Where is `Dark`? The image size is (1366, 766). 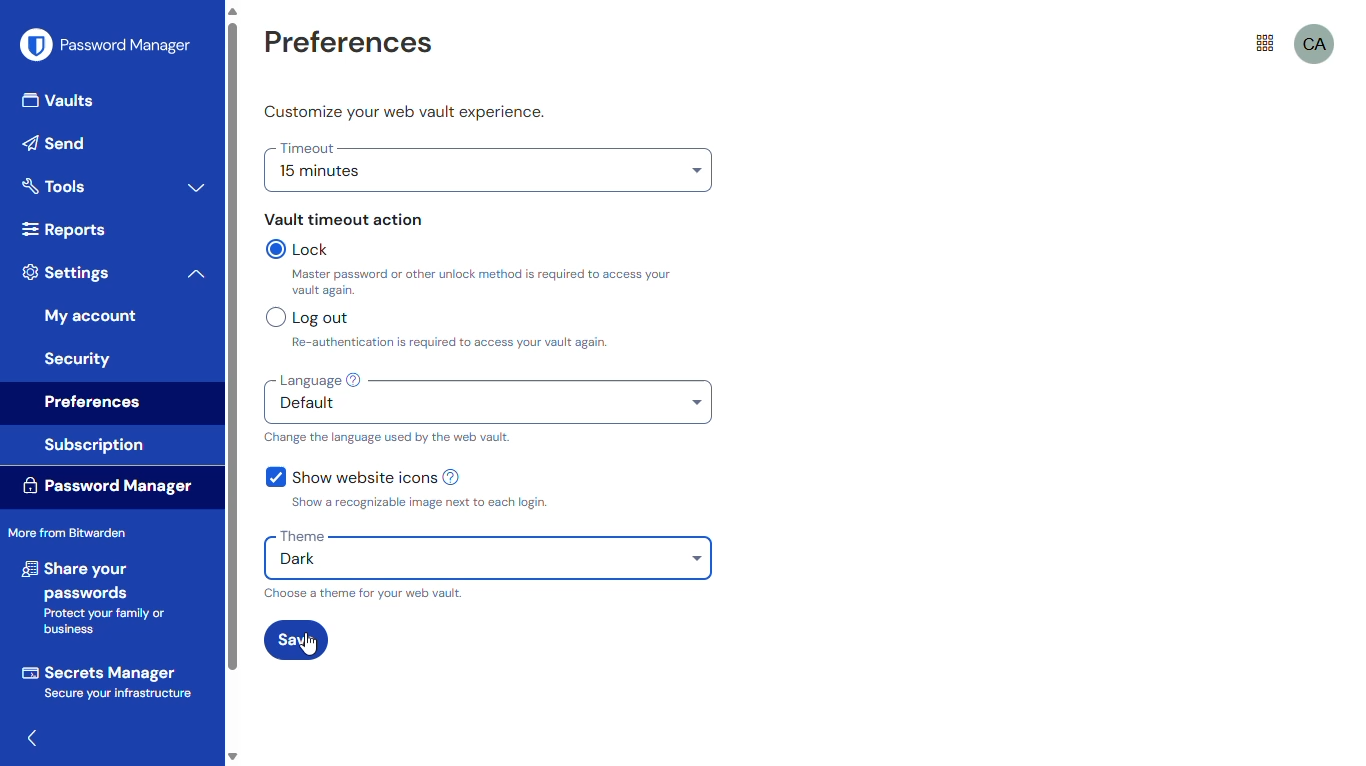 Dark is located at coordinates (490, 561).